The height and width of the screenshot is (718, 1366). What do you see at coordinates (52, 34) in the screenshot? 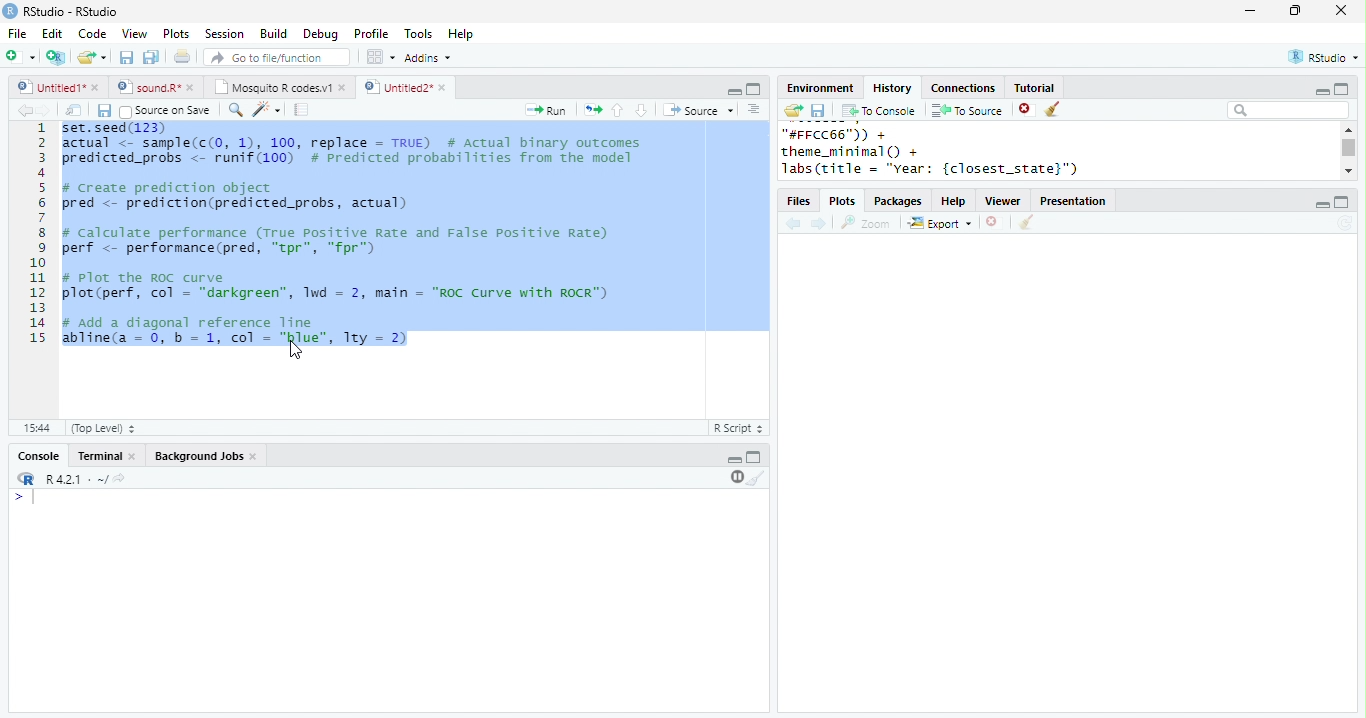
I see `Edit` at bounding box center [52, 34].